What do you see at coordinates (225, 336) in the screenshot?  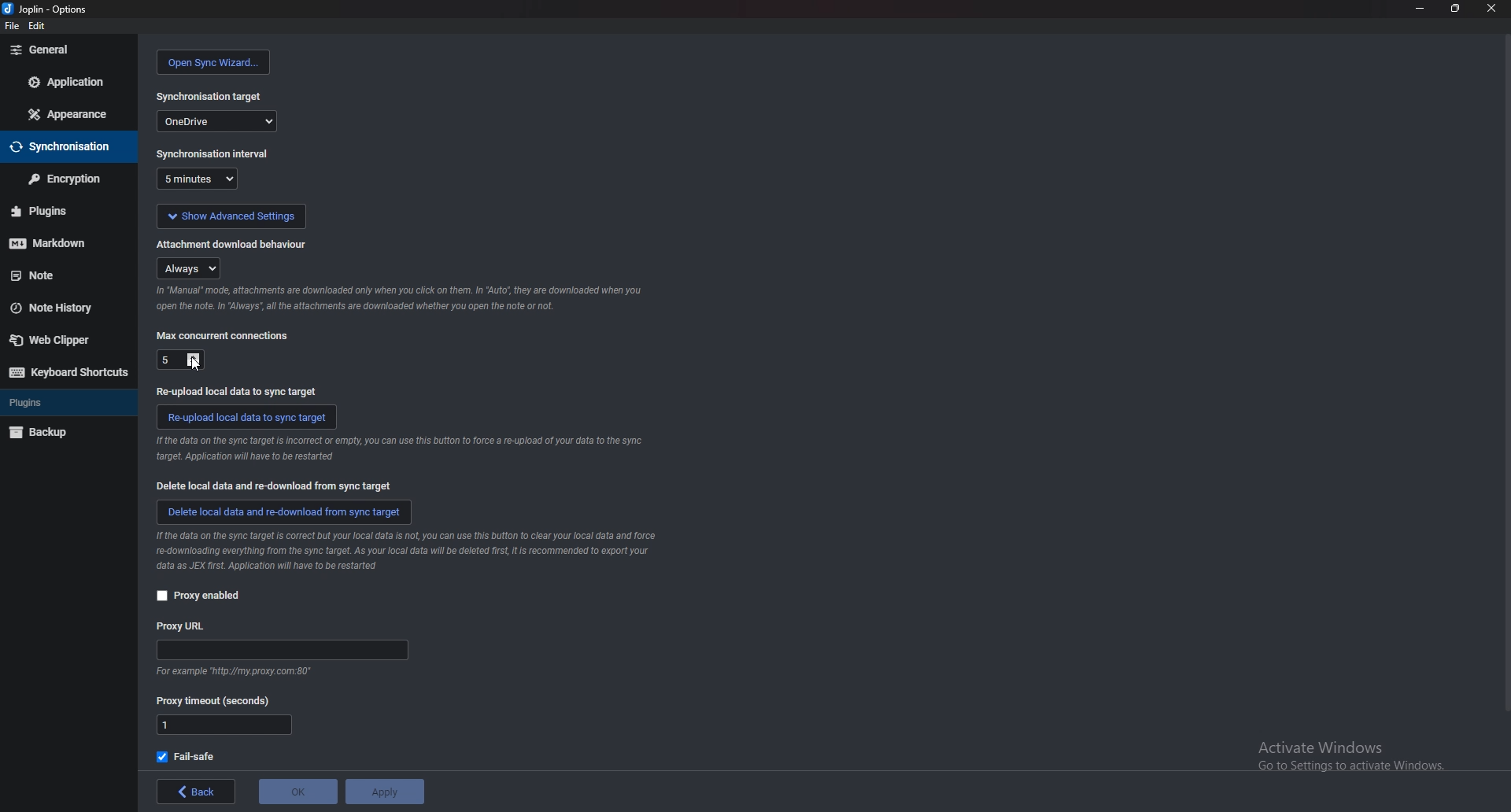 I see `max concurrent connections` at bounding box center [225, 336].